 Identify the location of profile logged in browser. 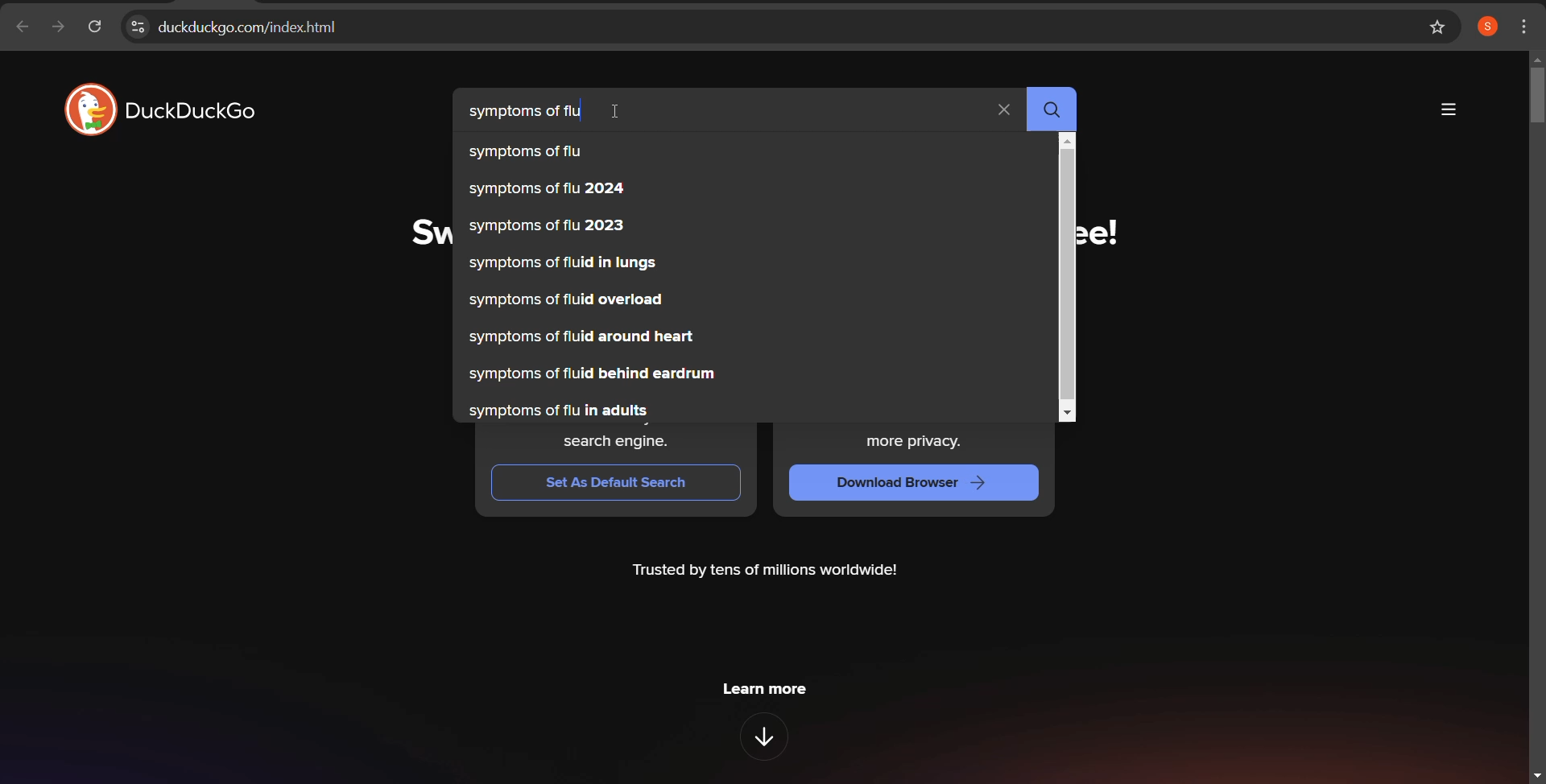
(1487, 27).